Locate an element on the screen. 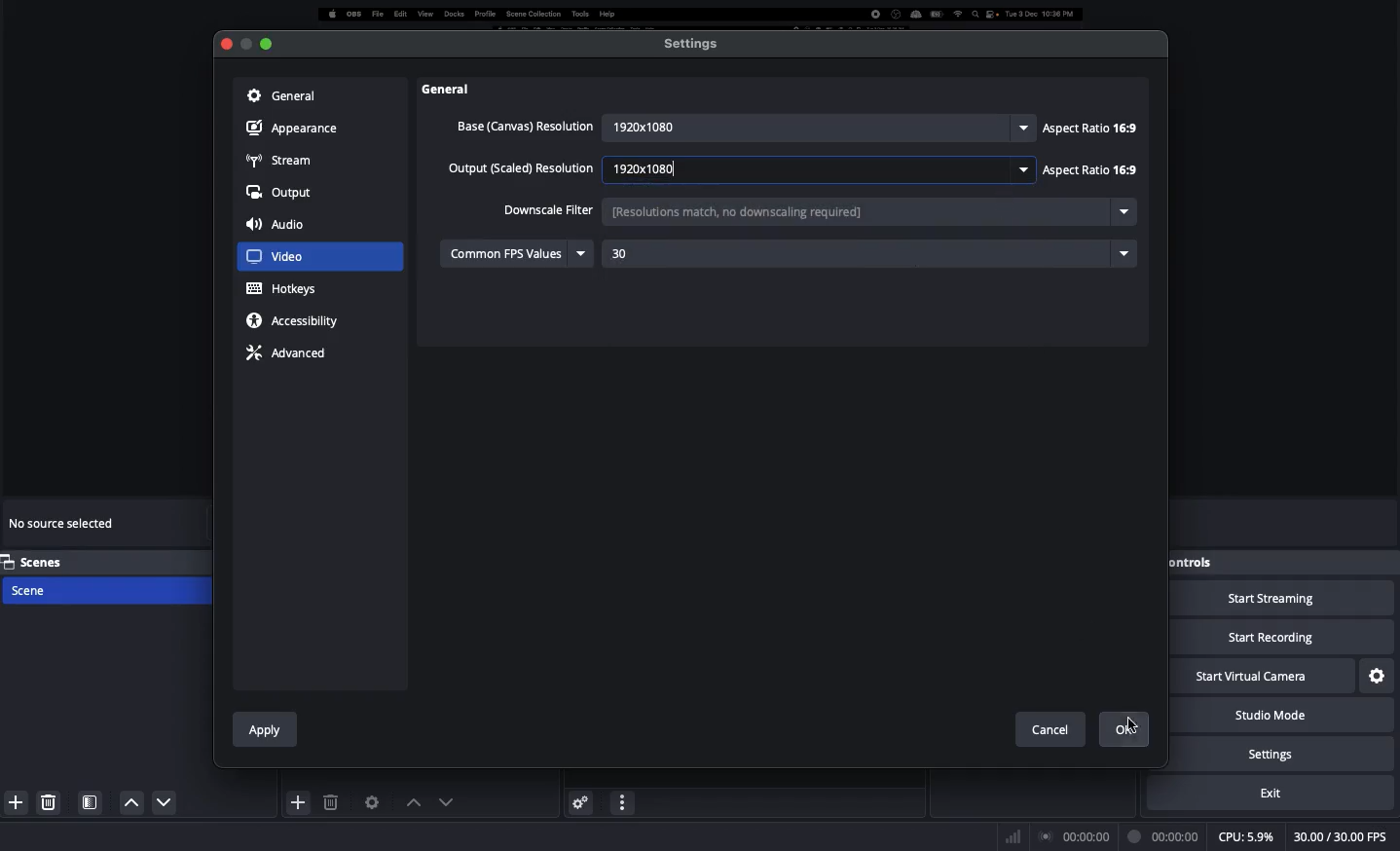 The width and height of the screenshot is (1400, 851). Accessibility  is located at coordinates (298, 320).